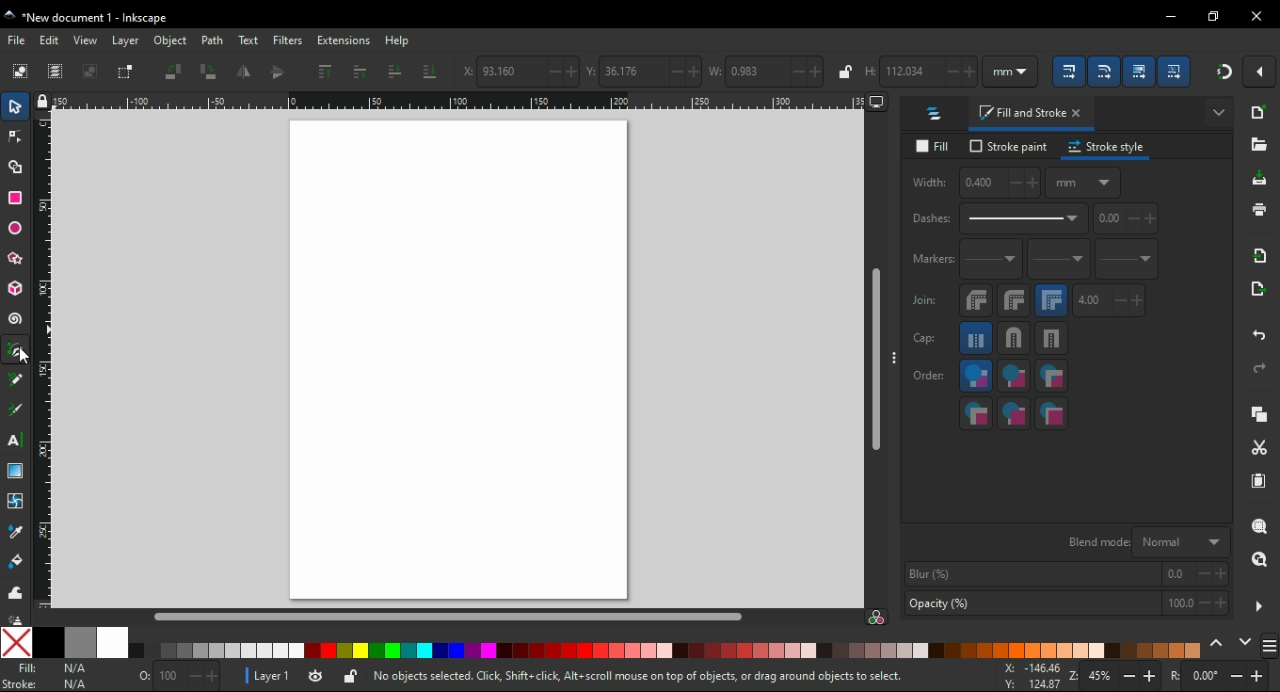 The height and width of the screenshot is (692, 1280). Describe the element at coordinates (250, 41) in the screenshot. I see `text` at that location.